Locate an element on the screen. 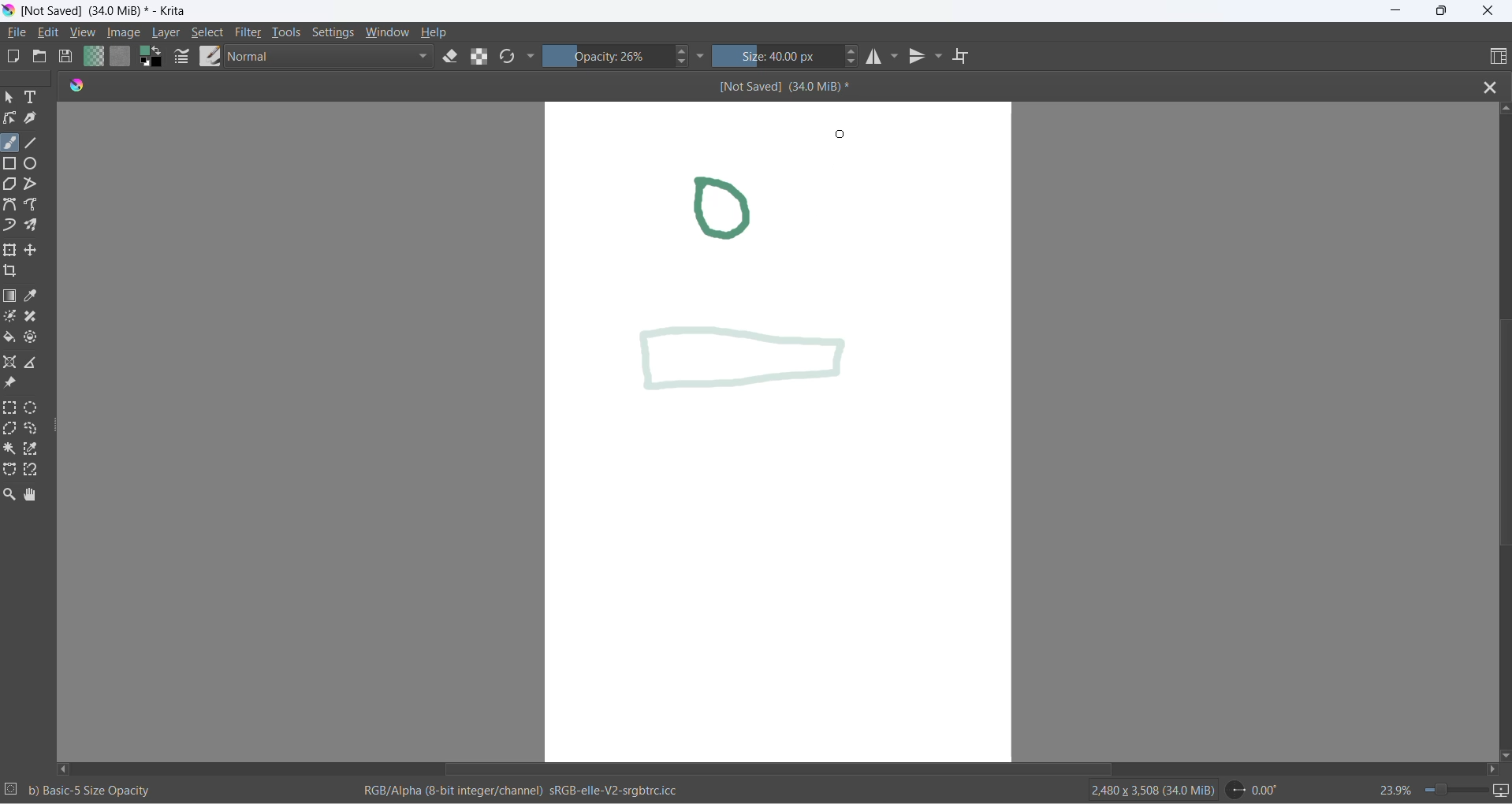  set eraser tool is located at coordinates (451, 57).